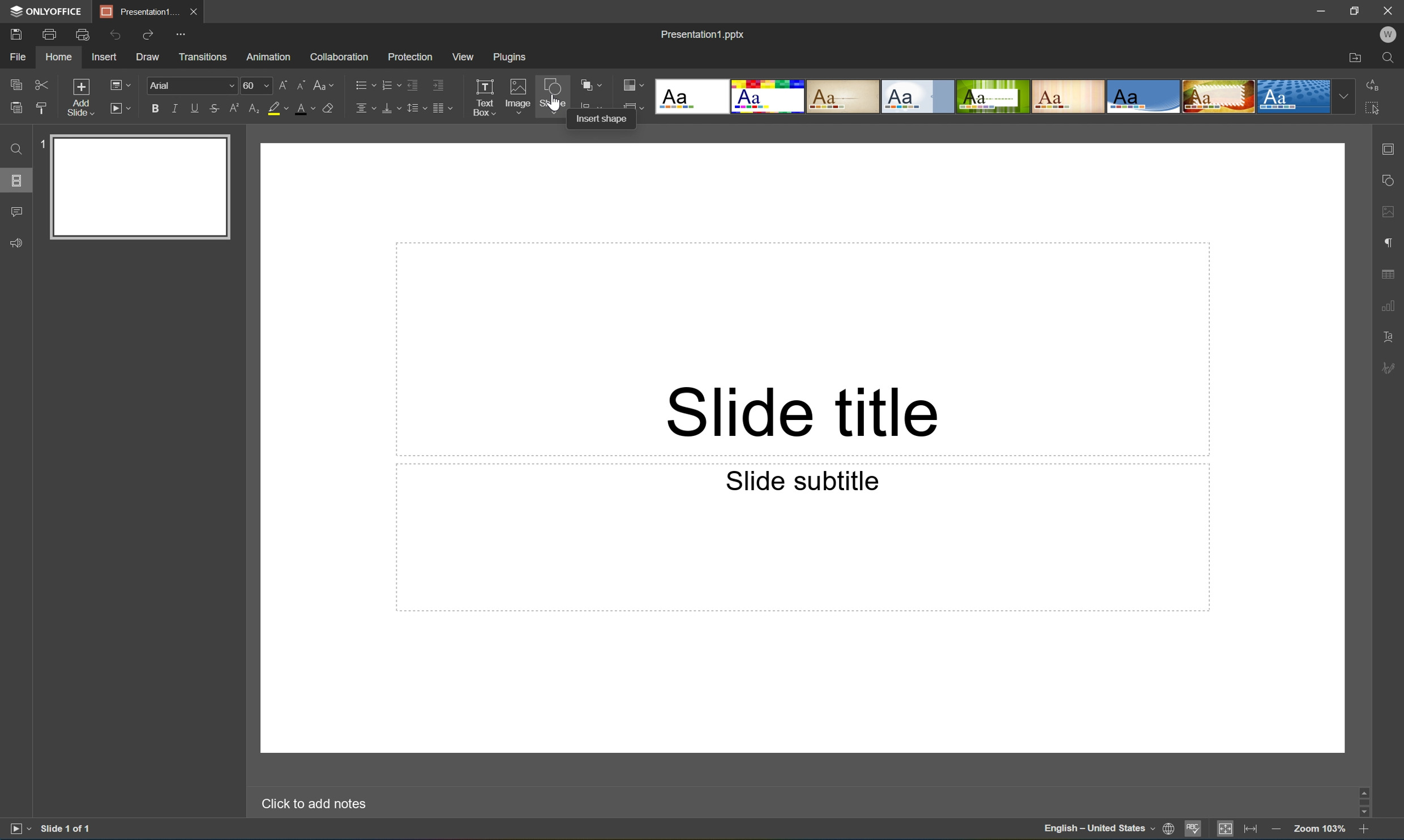 The height and width of the screenshot is (840, 1404). What do you see at coordinates (446, 108) in the screenshot?
I see `Insert column` at bounding box center [446, 108].